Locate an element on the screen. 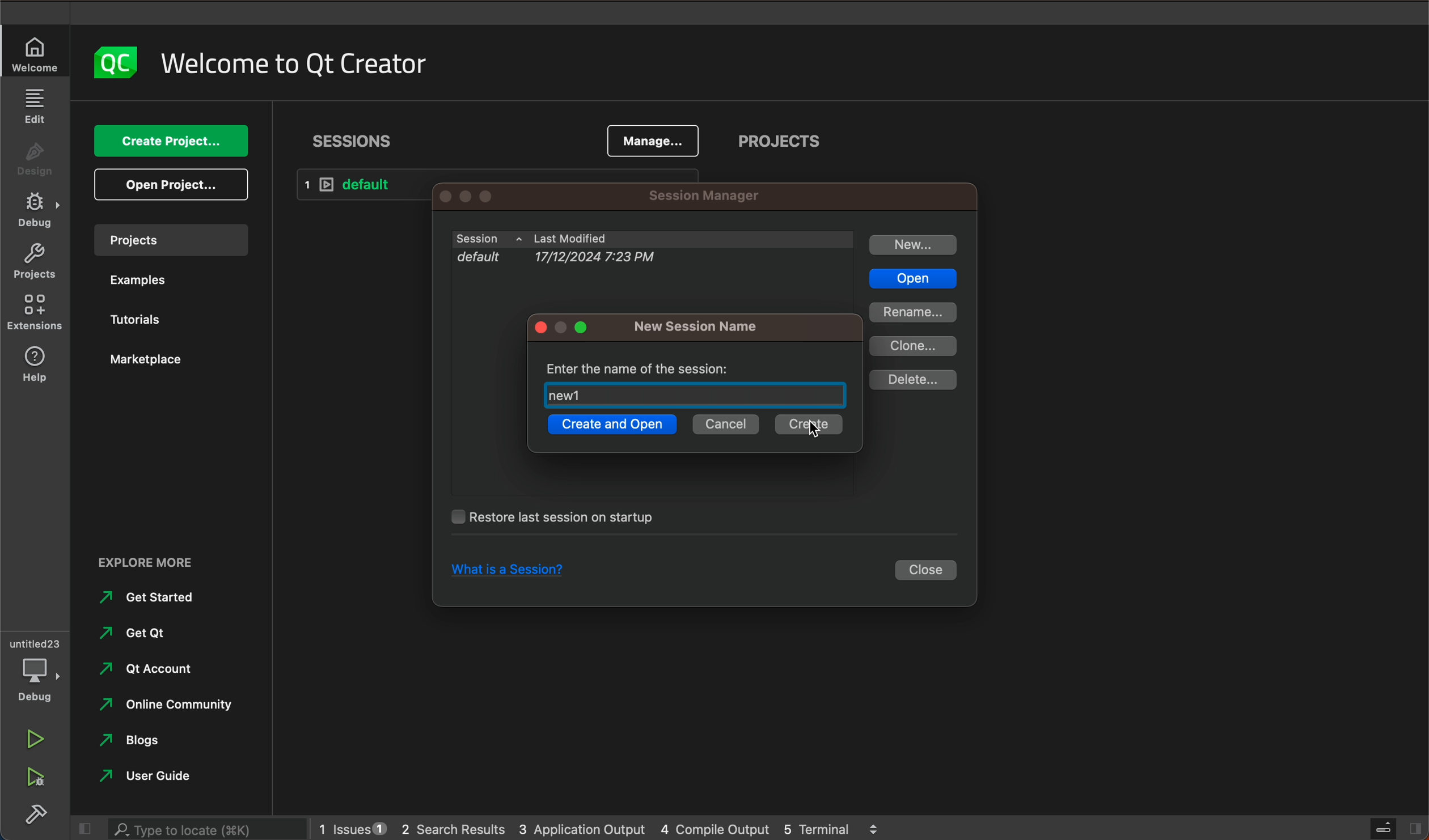  application output is located at coordinates (583, 826).